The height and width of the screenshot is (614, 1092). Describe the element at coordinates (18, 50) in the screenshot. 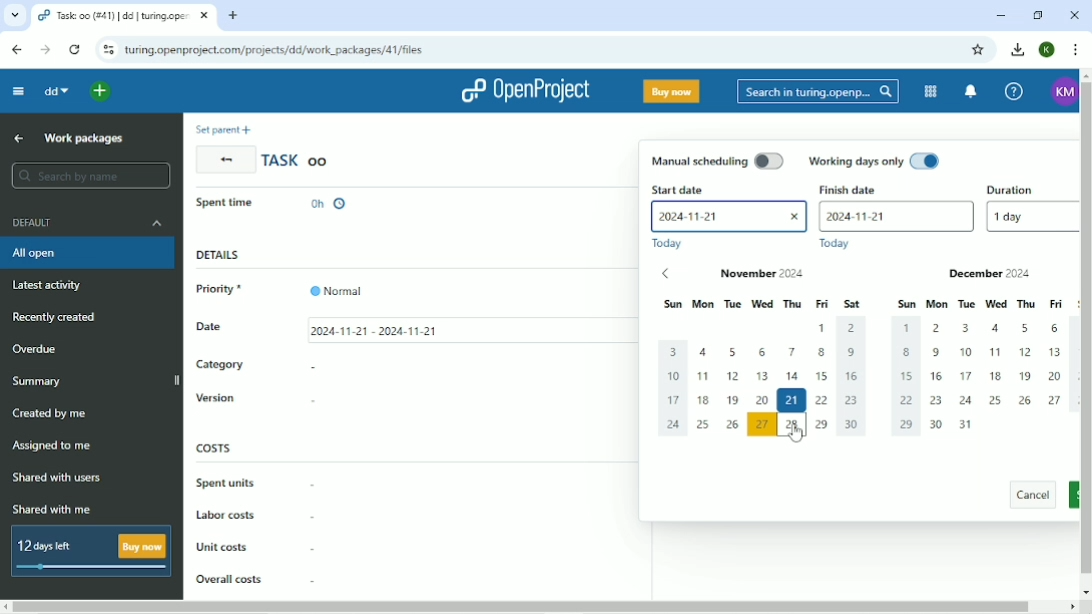

I see `Back` at that location.